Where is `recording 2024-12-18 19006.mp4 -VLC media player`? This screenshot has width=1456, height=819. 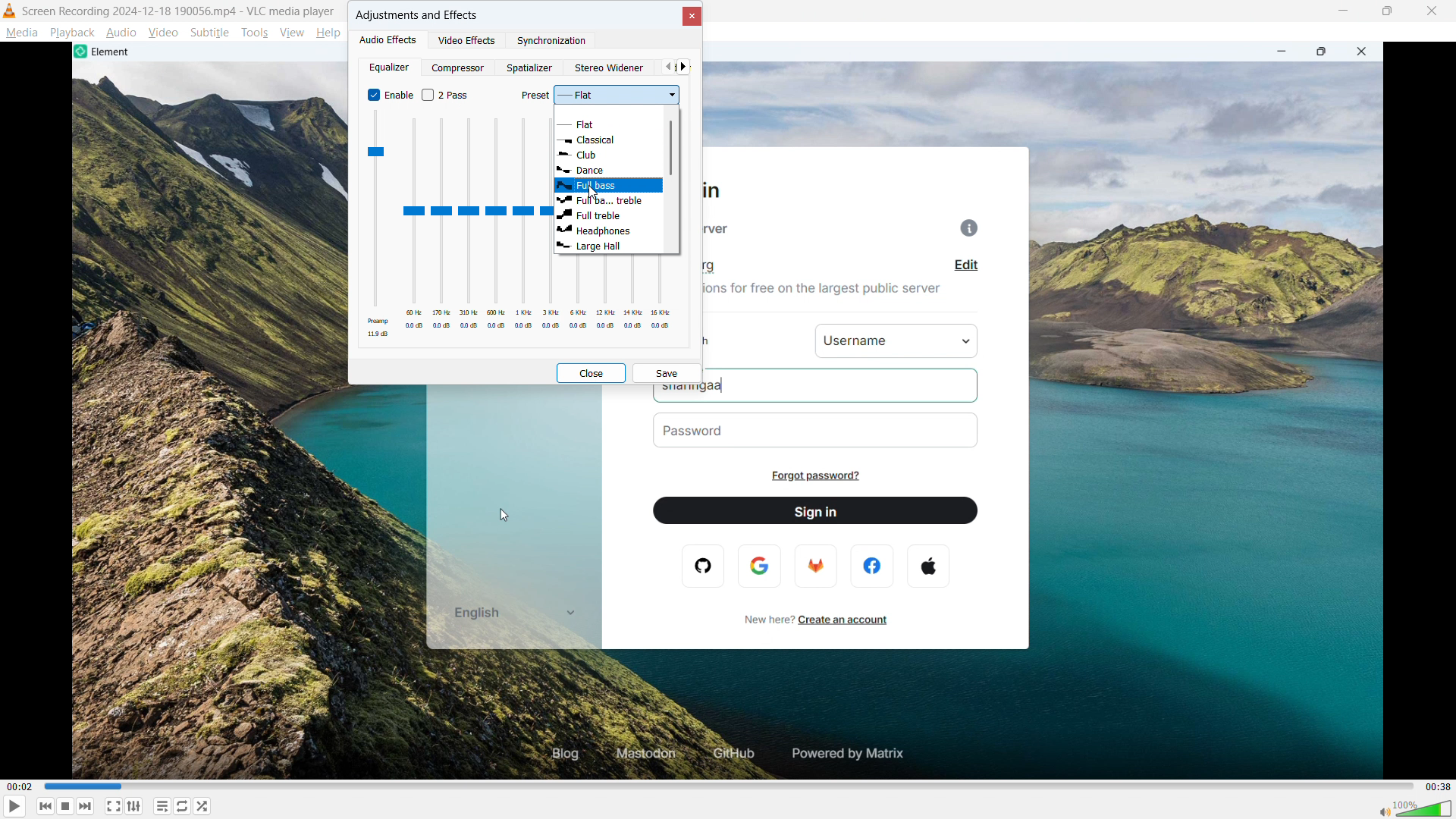 recording 2024-12-18 19006.mp4 -VLC media player is located at coordinates (180, 11).